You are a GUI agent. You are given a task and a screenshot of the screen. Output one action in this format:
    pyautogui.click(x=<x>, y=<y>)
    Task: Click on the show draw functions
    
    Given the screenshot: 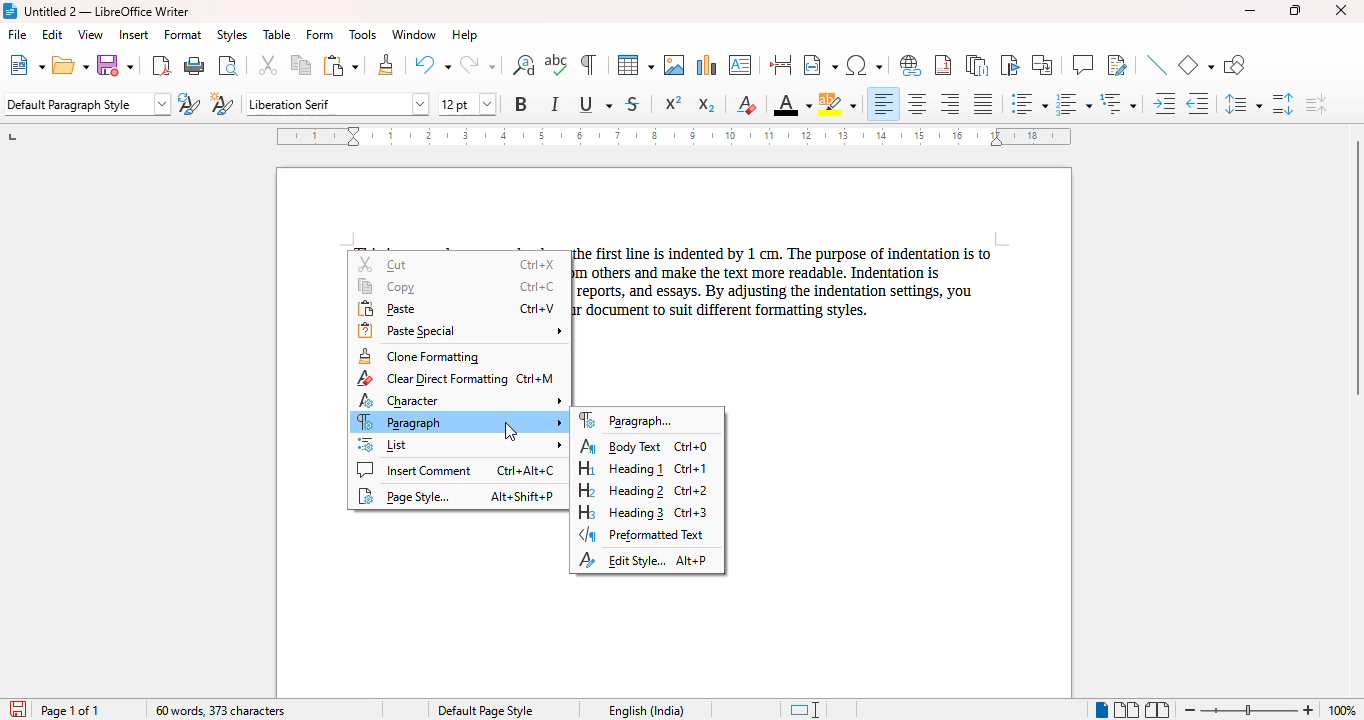 What is the action you would take?
    pyautogui.click(x=1234, y=65)
    